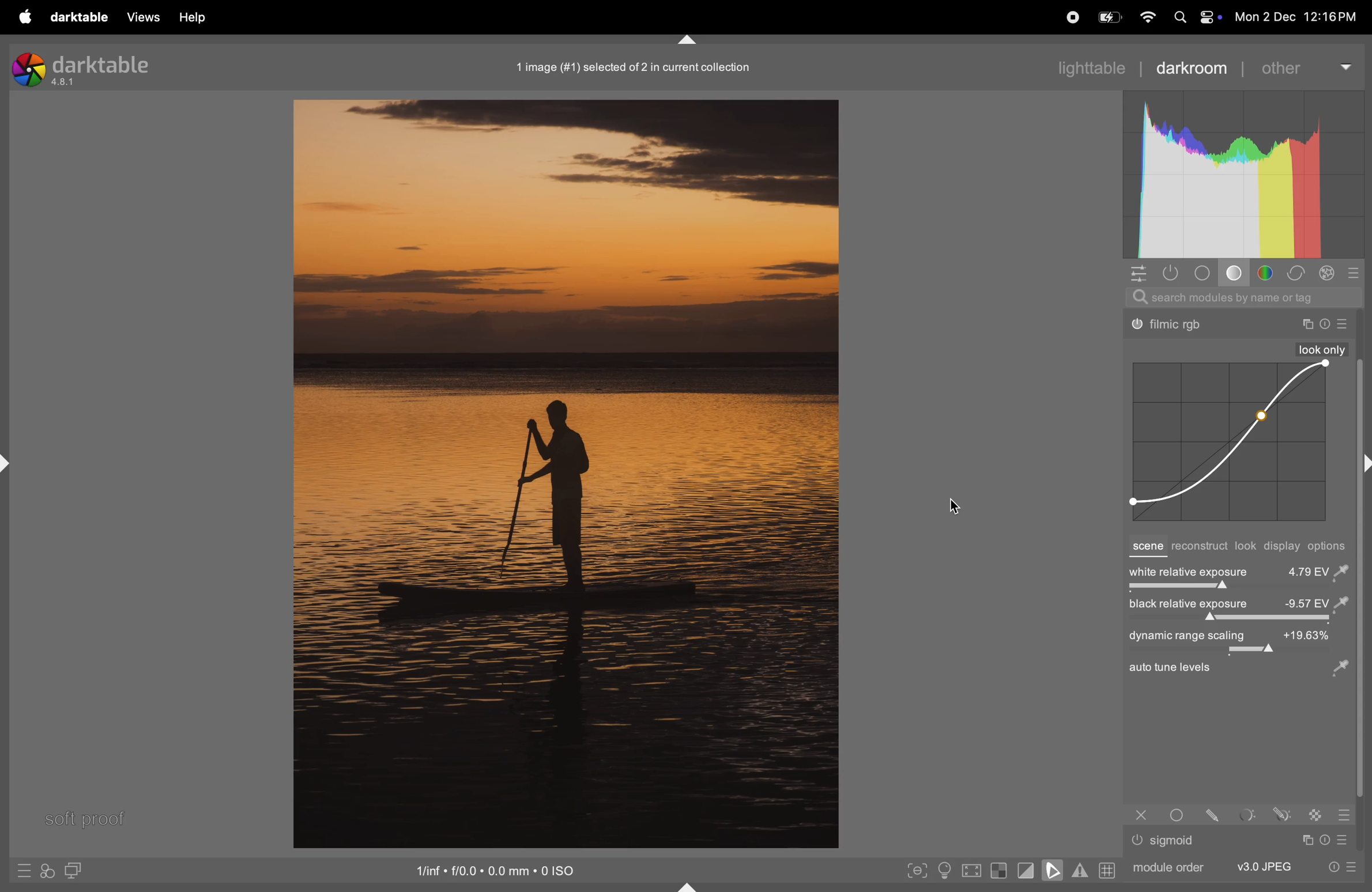 Image resolution: width=1372 pixels, height=892 pixels. What do you see at coordinates (1166, 866) in the screenshot?
I see `module order ` at bounding box center [1166, 866].